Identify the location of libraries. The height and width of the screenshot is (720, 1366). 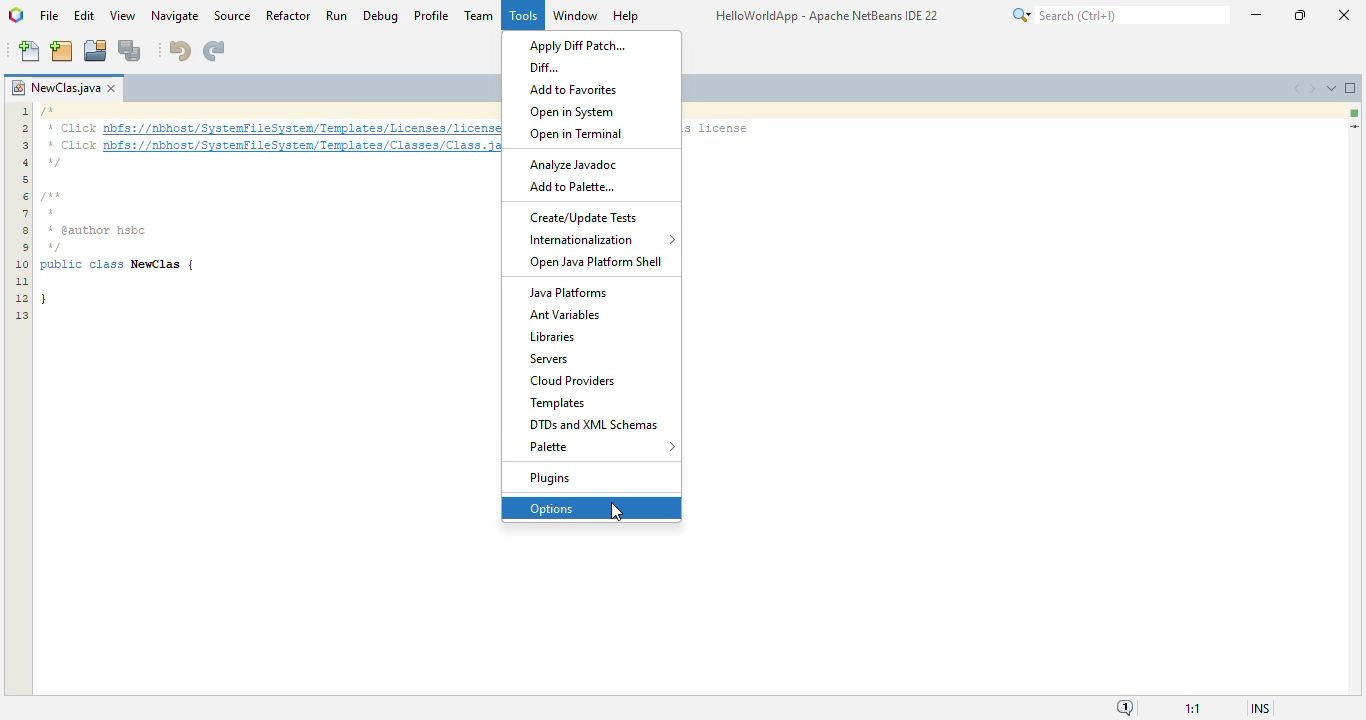
(552, 337).